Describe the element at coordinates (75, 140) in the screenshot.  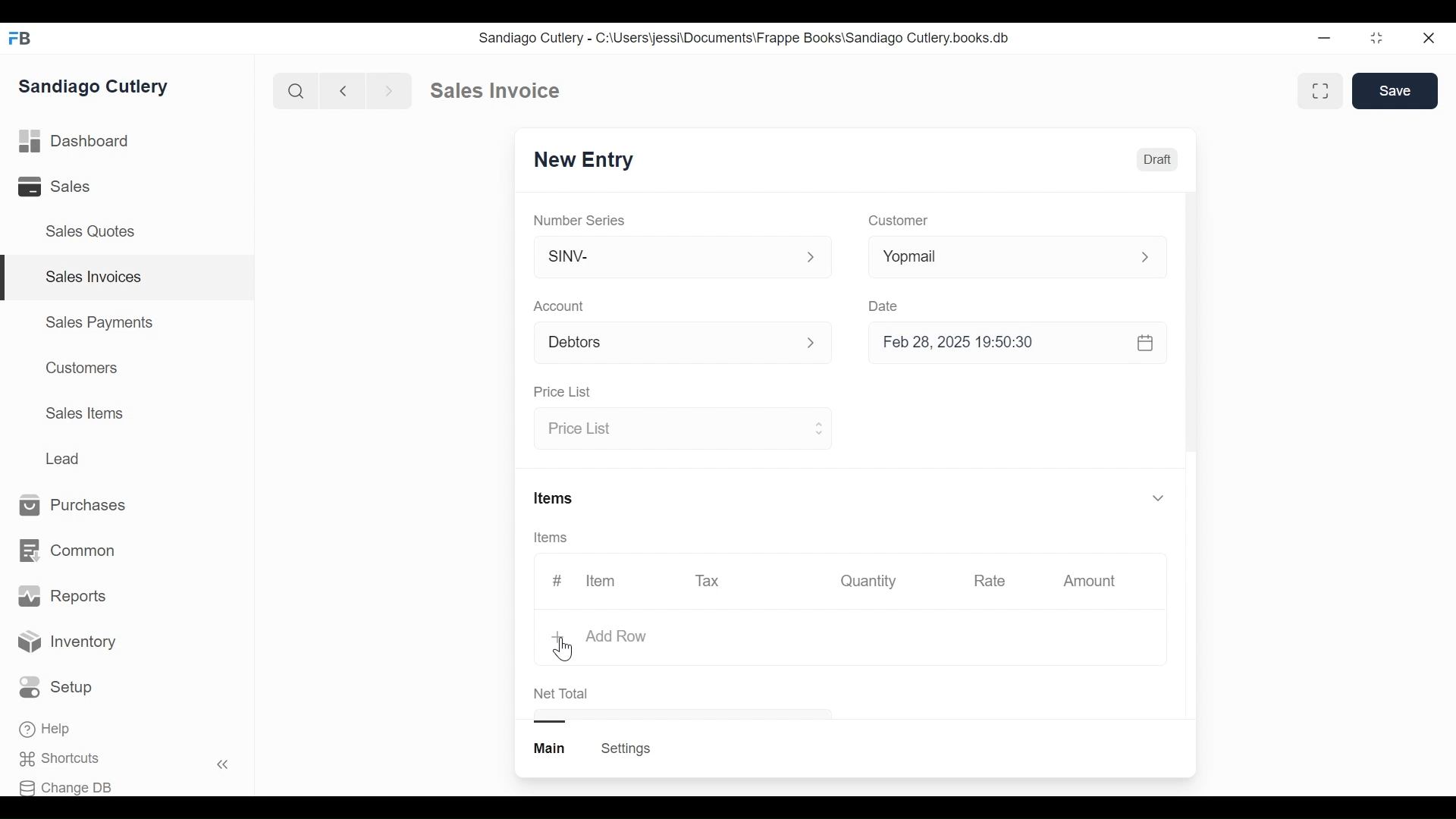
I see `Dashboard` at that location.